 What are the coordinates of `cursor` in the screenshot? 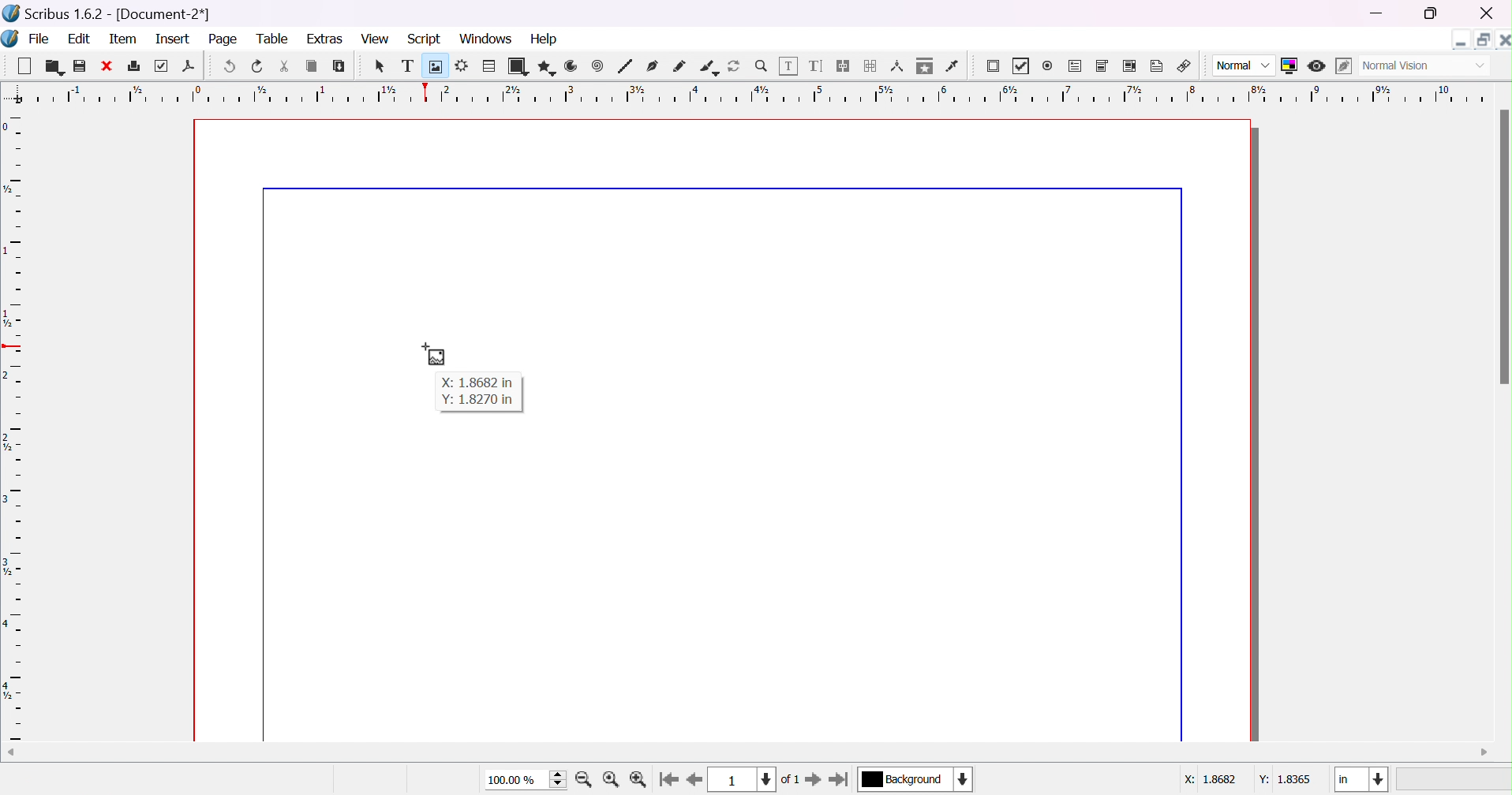 It's located at (430, 353).